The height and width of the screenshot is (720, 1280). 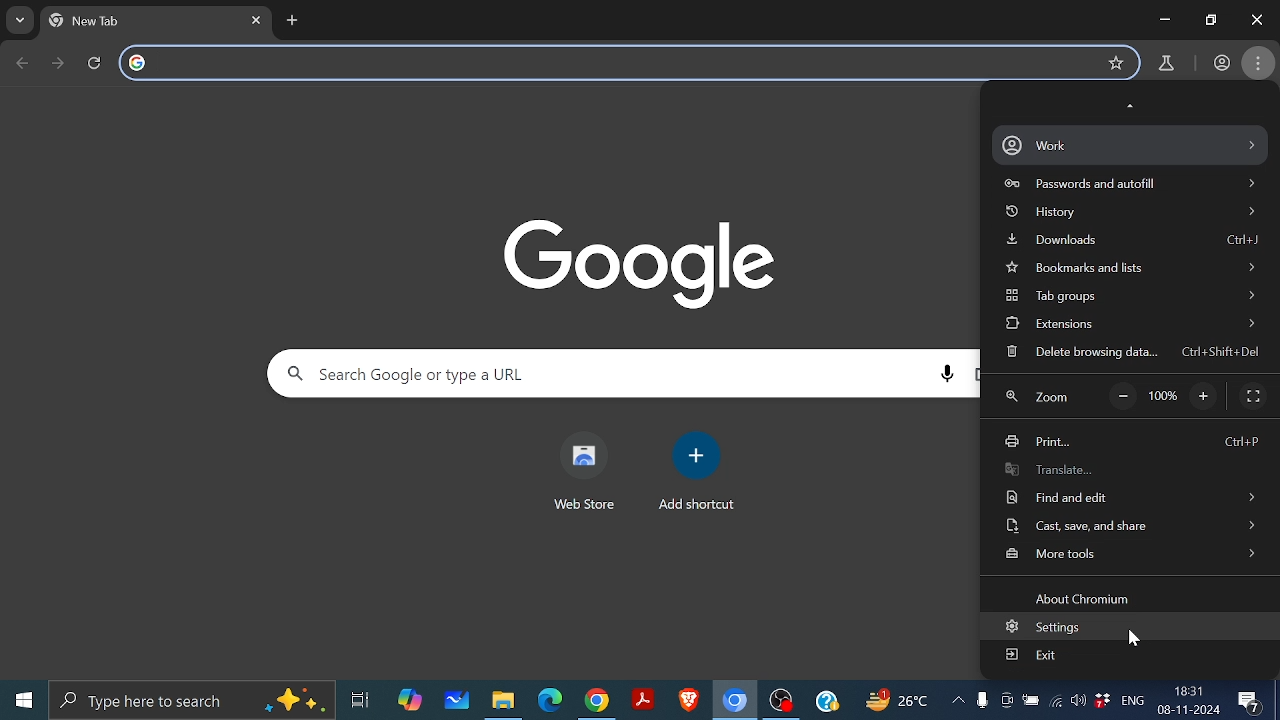 I want to click on voice , so click(x=982, y=704).